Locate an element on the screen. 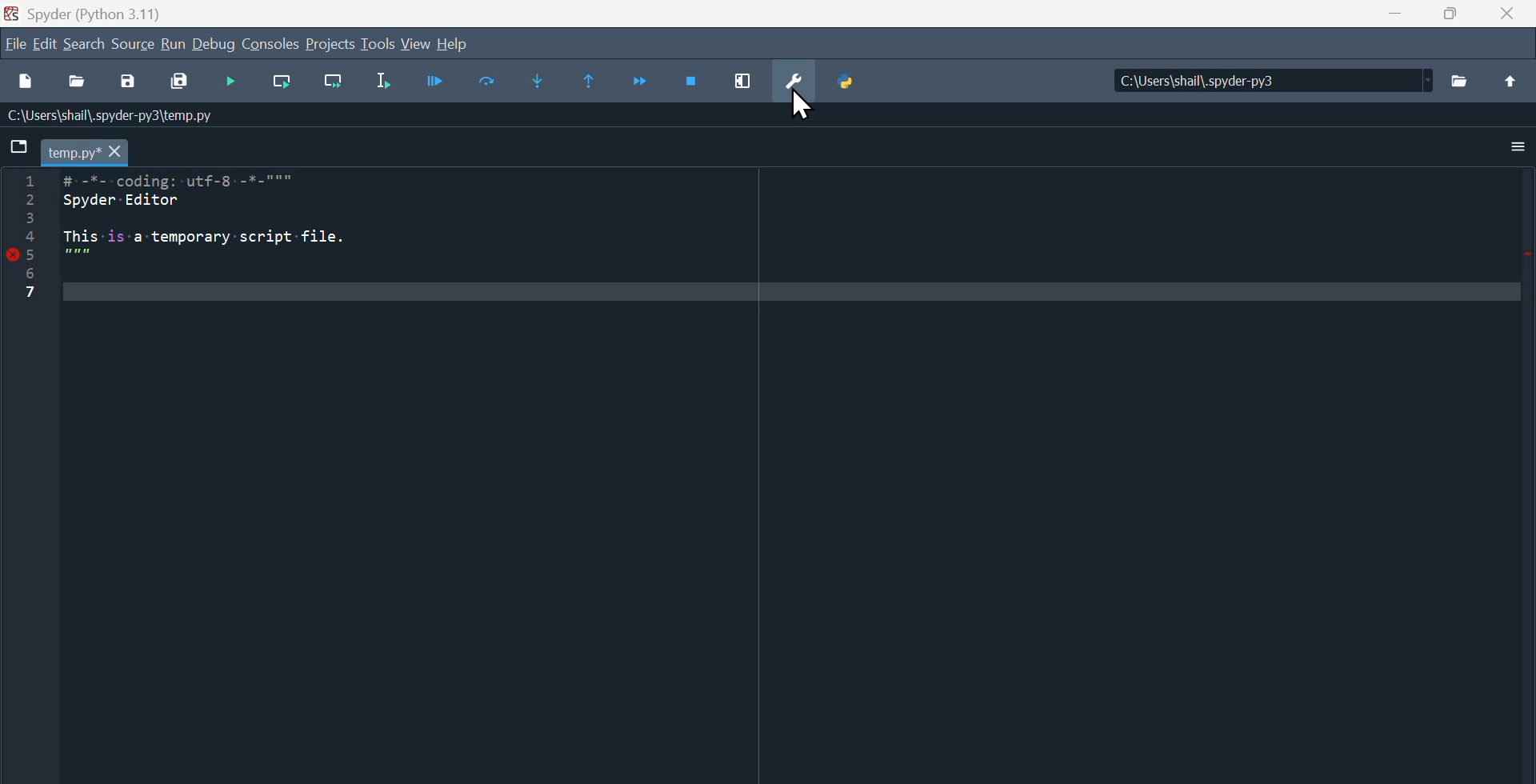 The height and width of the screenshot is (784, 1536). Run current line and go to the next one is located at coordinates (333, 82).